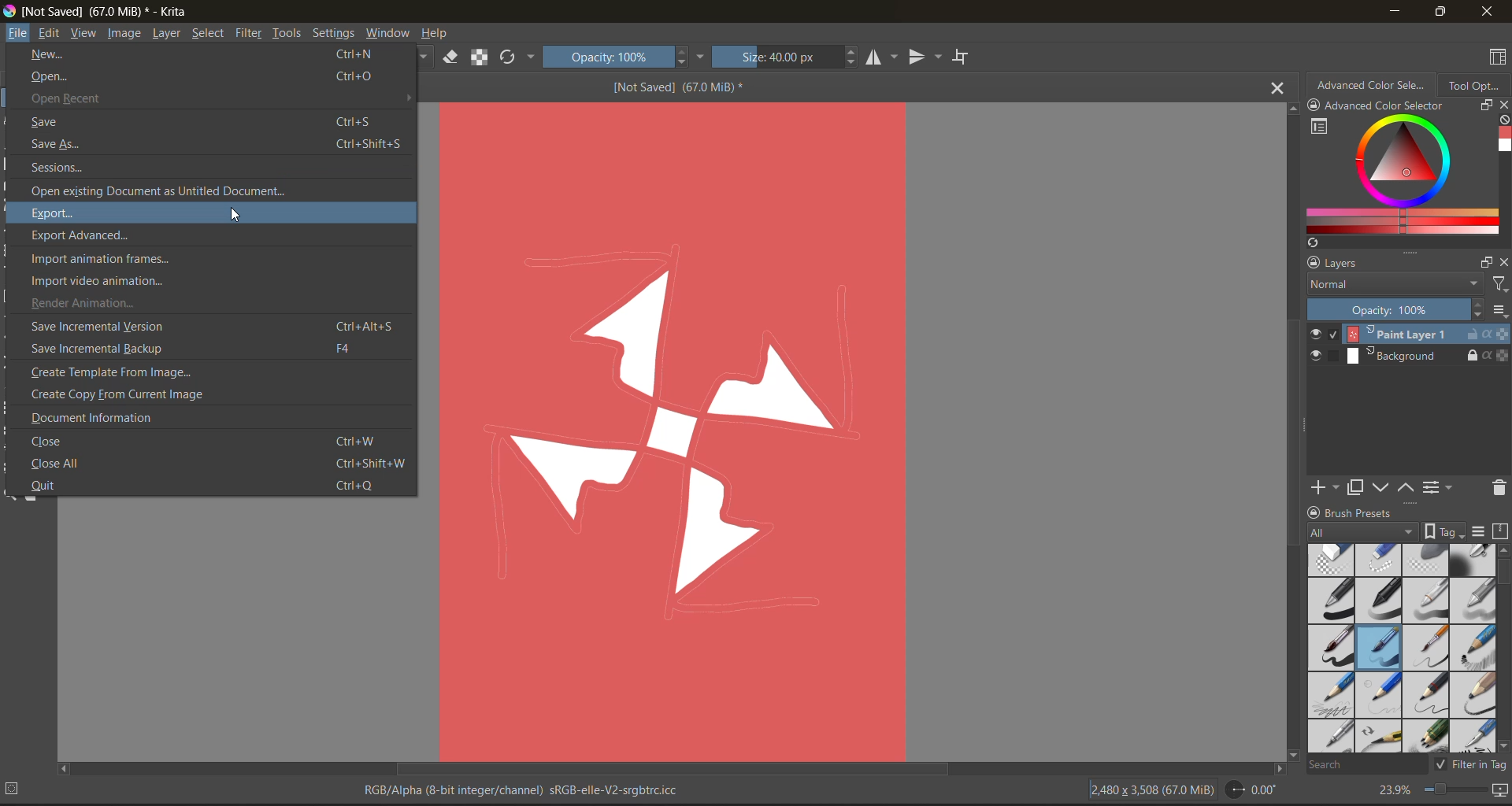 Image resolution: width=1512 pixels, height=806 pixels. What do you see at coordinates (48, 33) in the screenshot?
I see `edit` at bounding box center [48, 33].